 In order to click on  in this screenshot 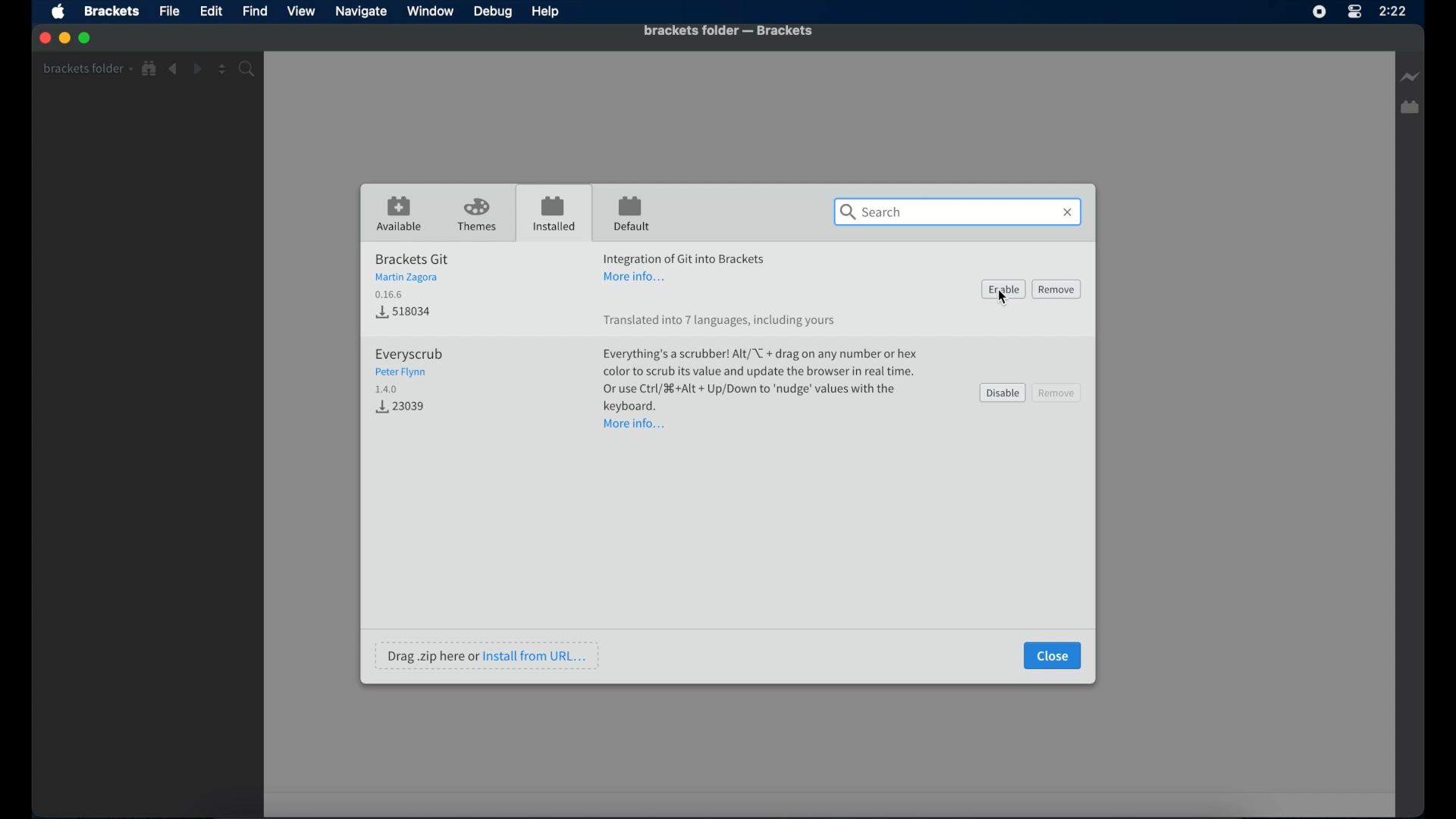, I will do `click(404, 408)`.